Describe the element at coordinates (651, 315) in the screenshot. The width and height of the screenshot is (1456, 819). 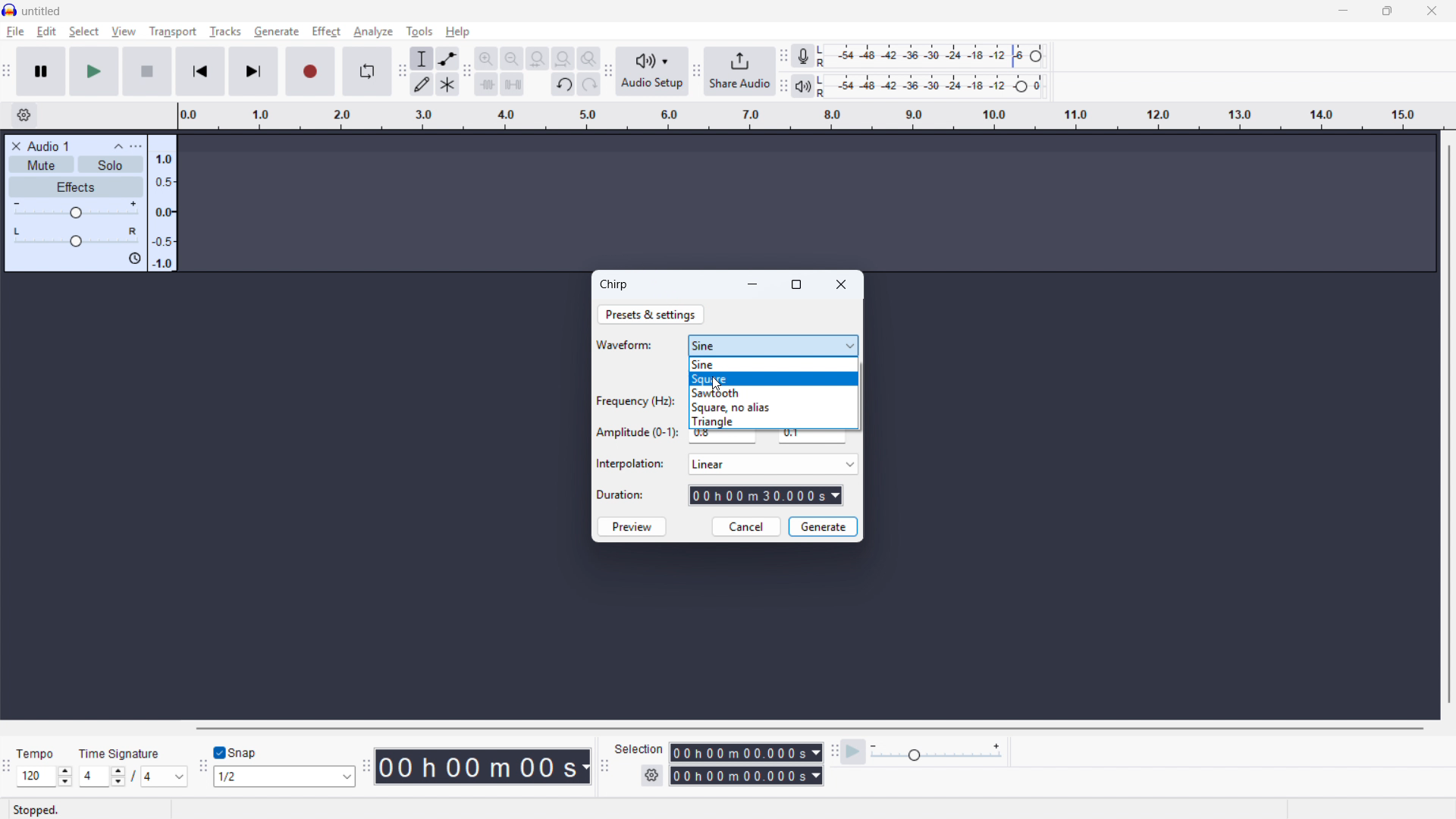
I see `Presets and settings ` at that location.